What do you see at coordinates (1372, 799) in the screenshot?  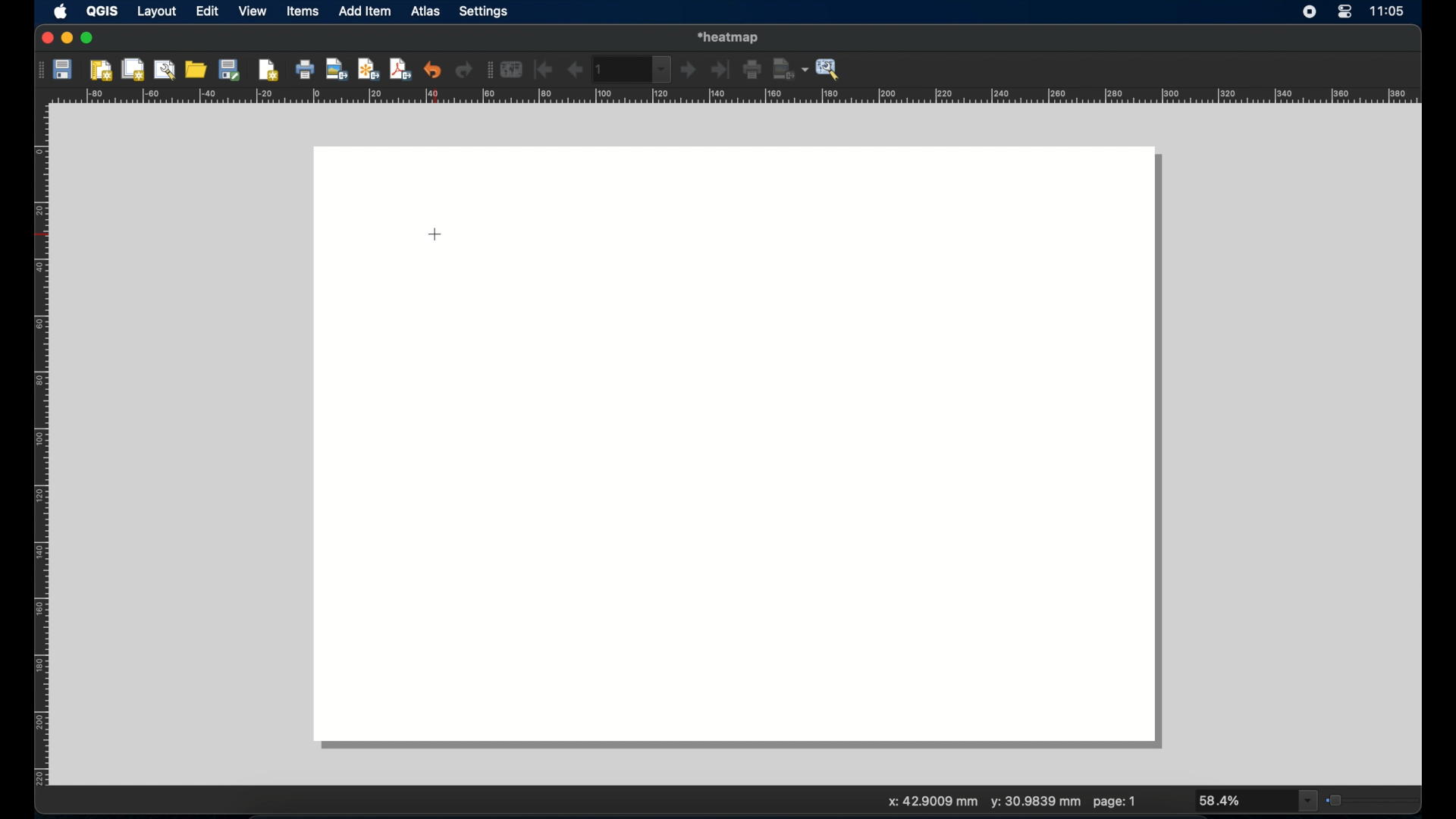 I see `zoom slider` at bounding box center [1372, 799].